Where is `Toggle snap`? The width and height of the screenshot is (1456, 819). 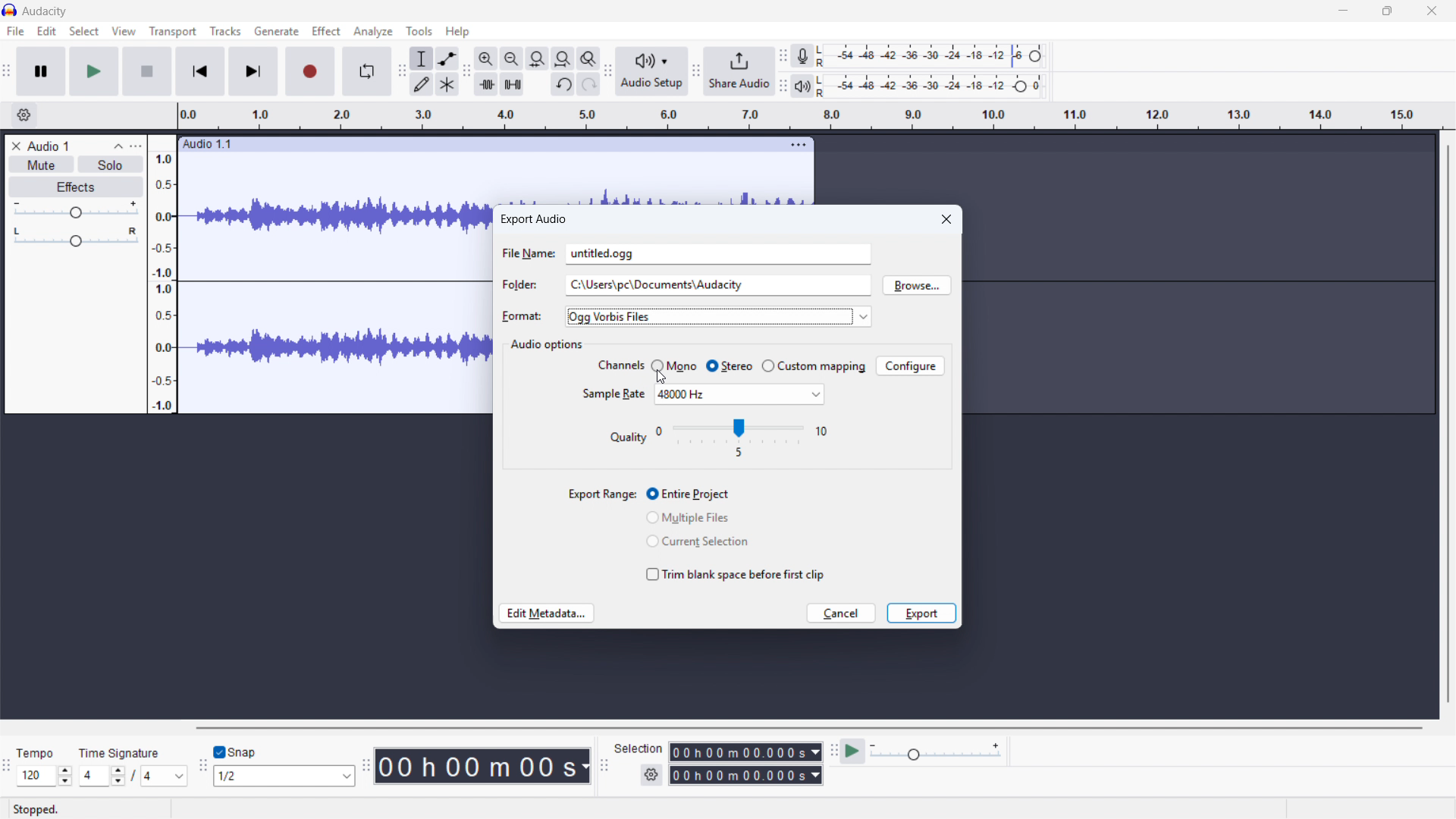
Toggle snap is located at coordinates (235, 752).